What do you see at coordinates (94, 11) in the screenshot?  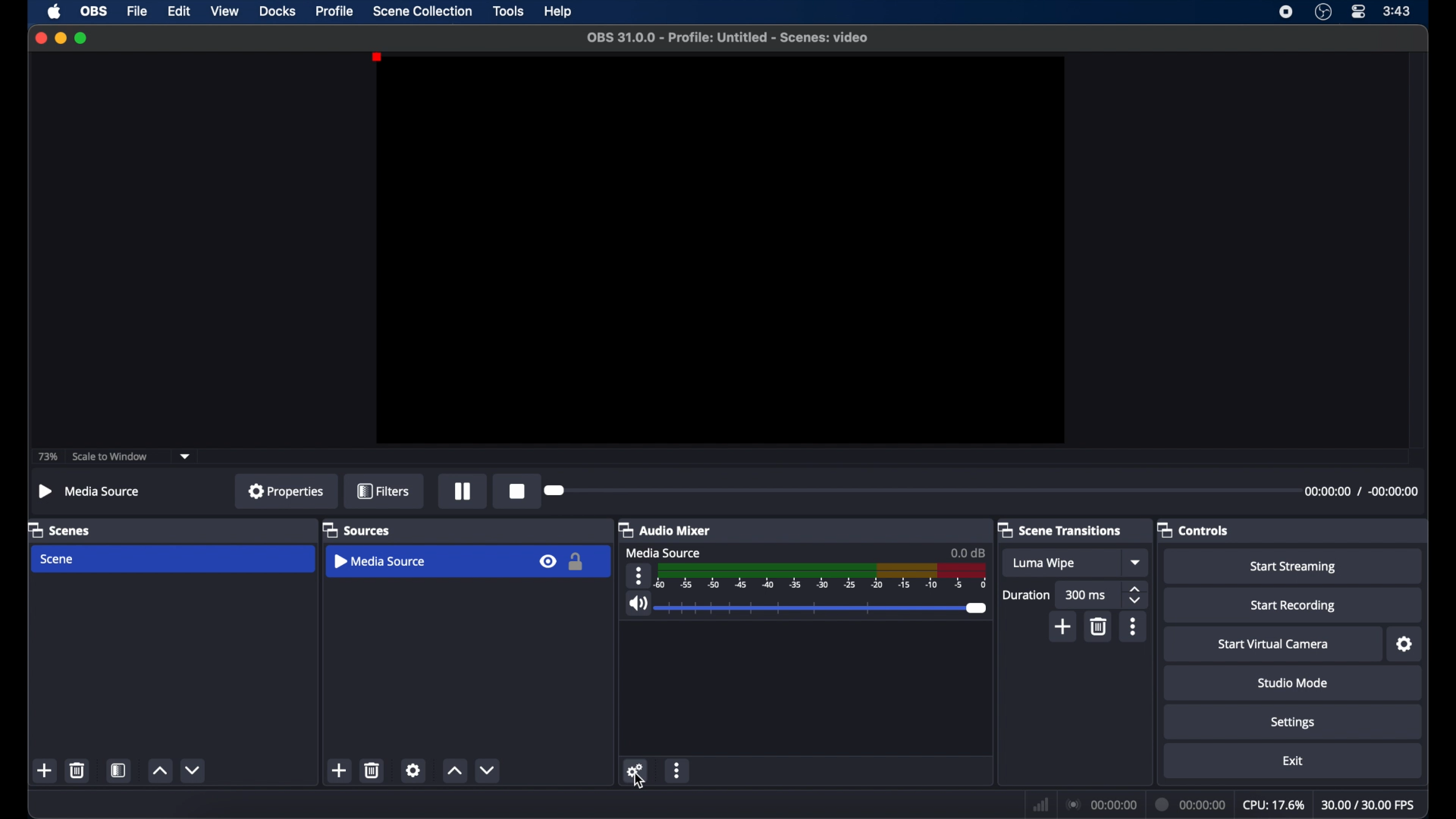 I see `obs` at bounding box center [94, 11].